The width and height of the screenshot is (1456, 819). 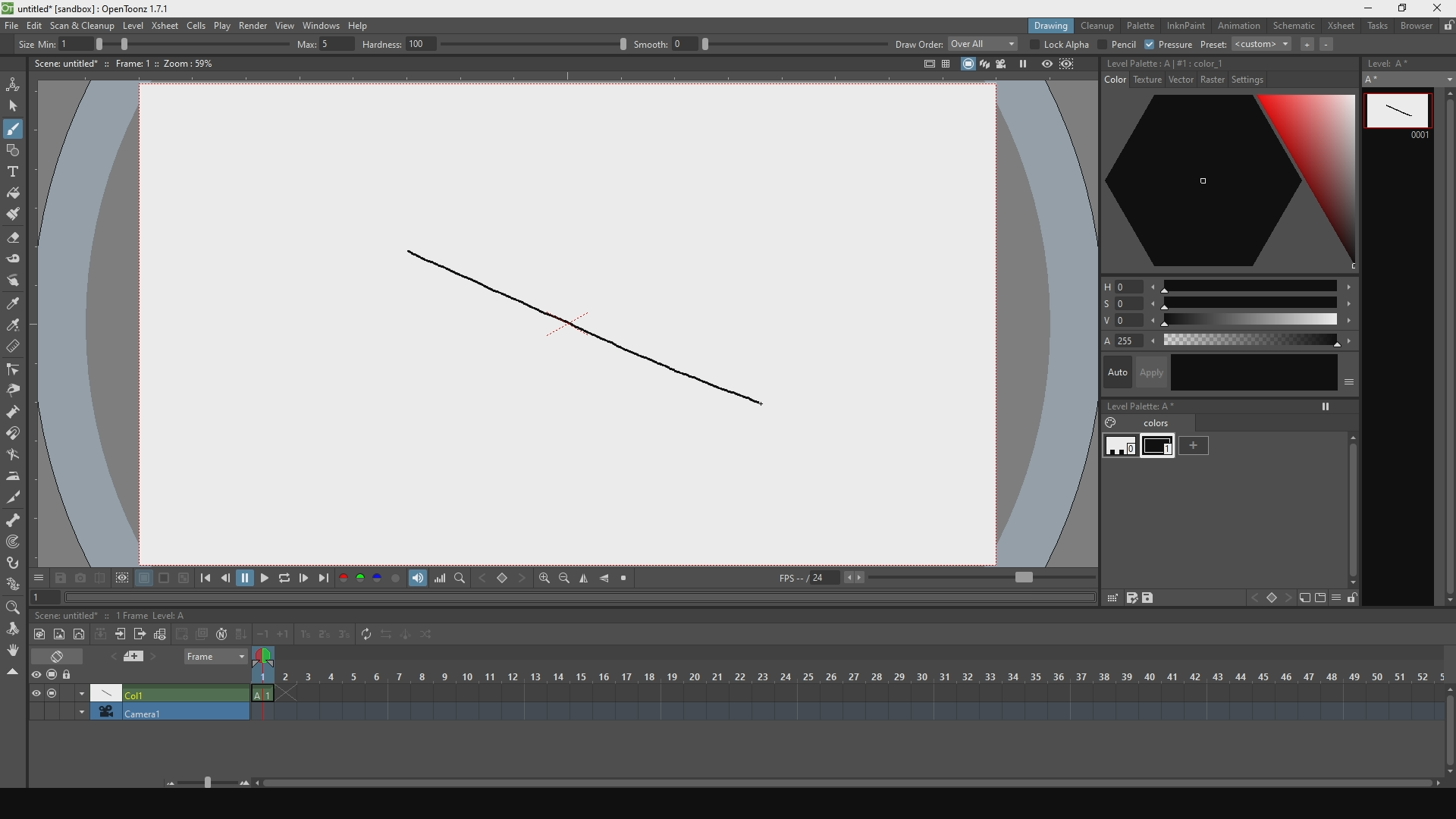 What do you see at coordinates (133, 25) in the screenshot?
I see `level` at bounding box center [133, 25].